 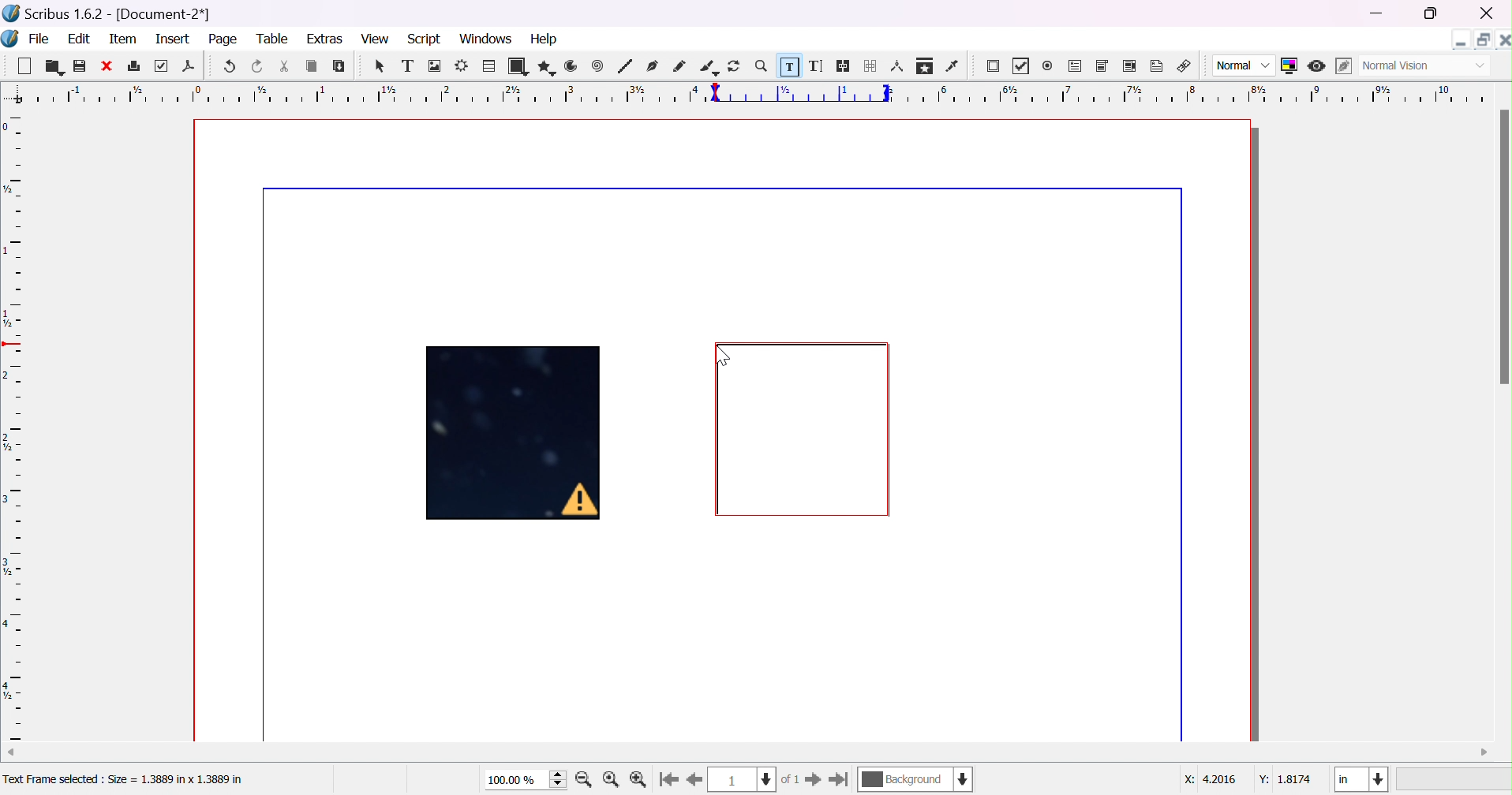 What do you see at coordinates (10, 38) in the screenshot?
I see `scribus icon` at bounding box center [10, 38].